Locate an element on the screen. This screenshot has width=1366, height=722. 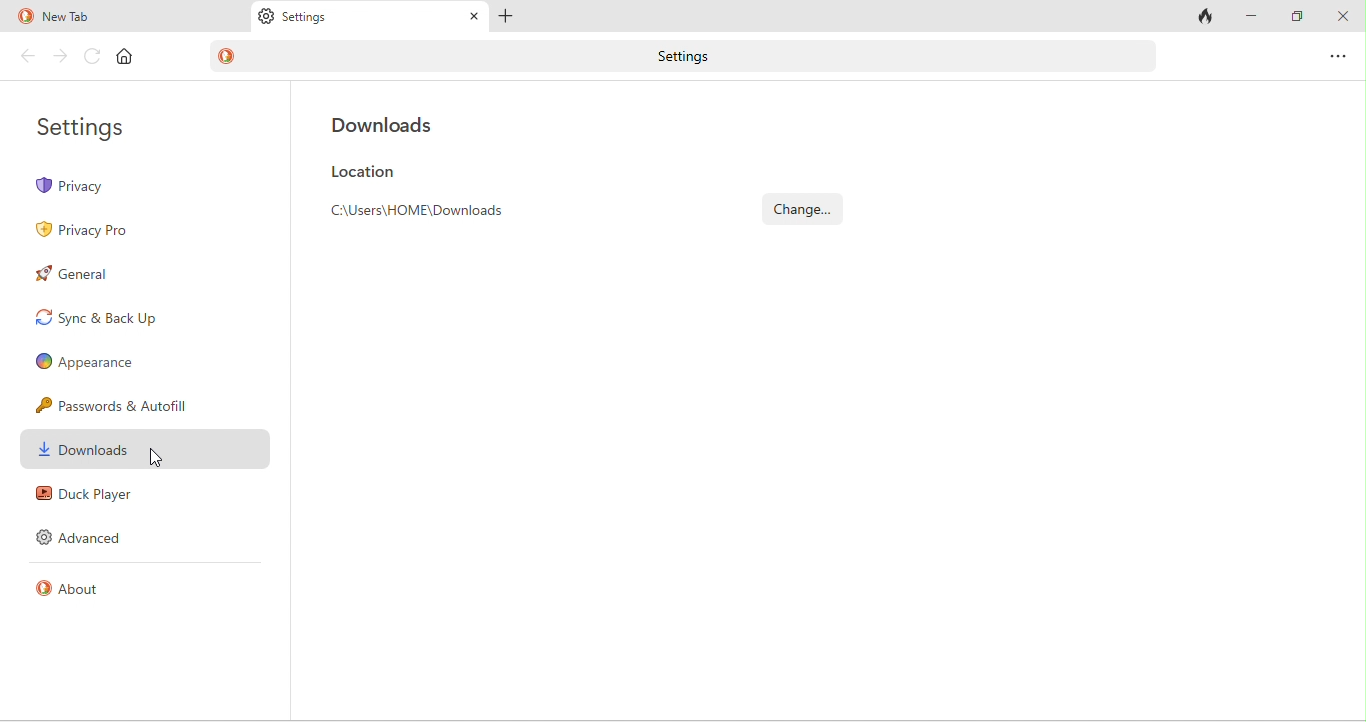
privacy pro is located at coordinates (97, 230).